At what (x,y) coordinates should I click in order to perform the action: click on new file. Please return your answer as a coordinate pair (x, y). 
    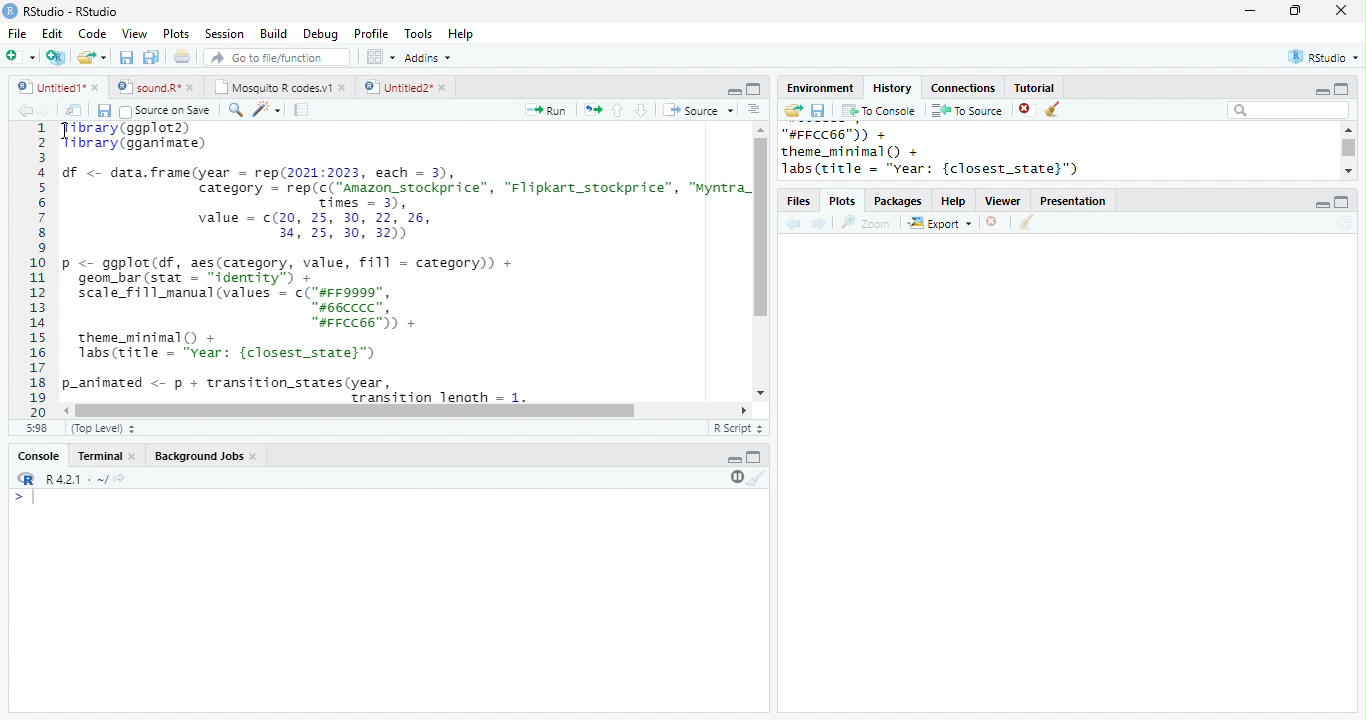
    Looking at the image, I should click on (20, 57).